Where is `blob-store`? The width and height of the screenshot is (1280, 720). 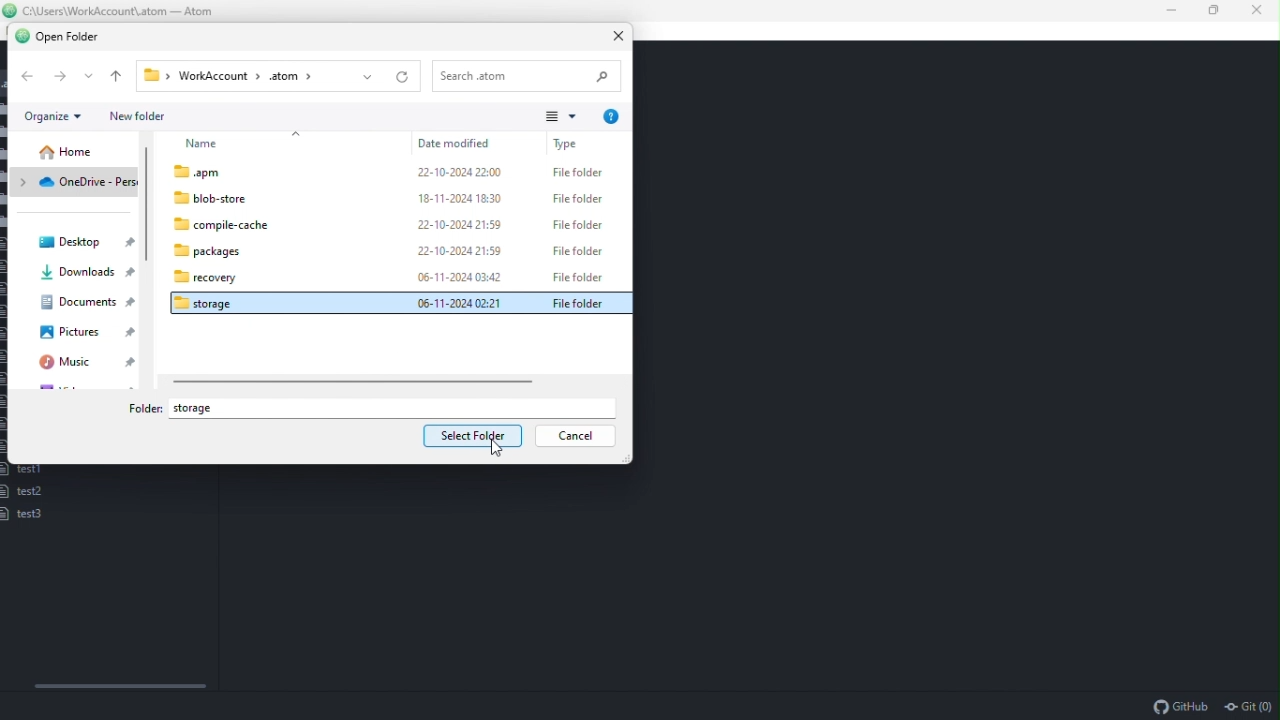
blob-store is located at coordinates (395, 199).